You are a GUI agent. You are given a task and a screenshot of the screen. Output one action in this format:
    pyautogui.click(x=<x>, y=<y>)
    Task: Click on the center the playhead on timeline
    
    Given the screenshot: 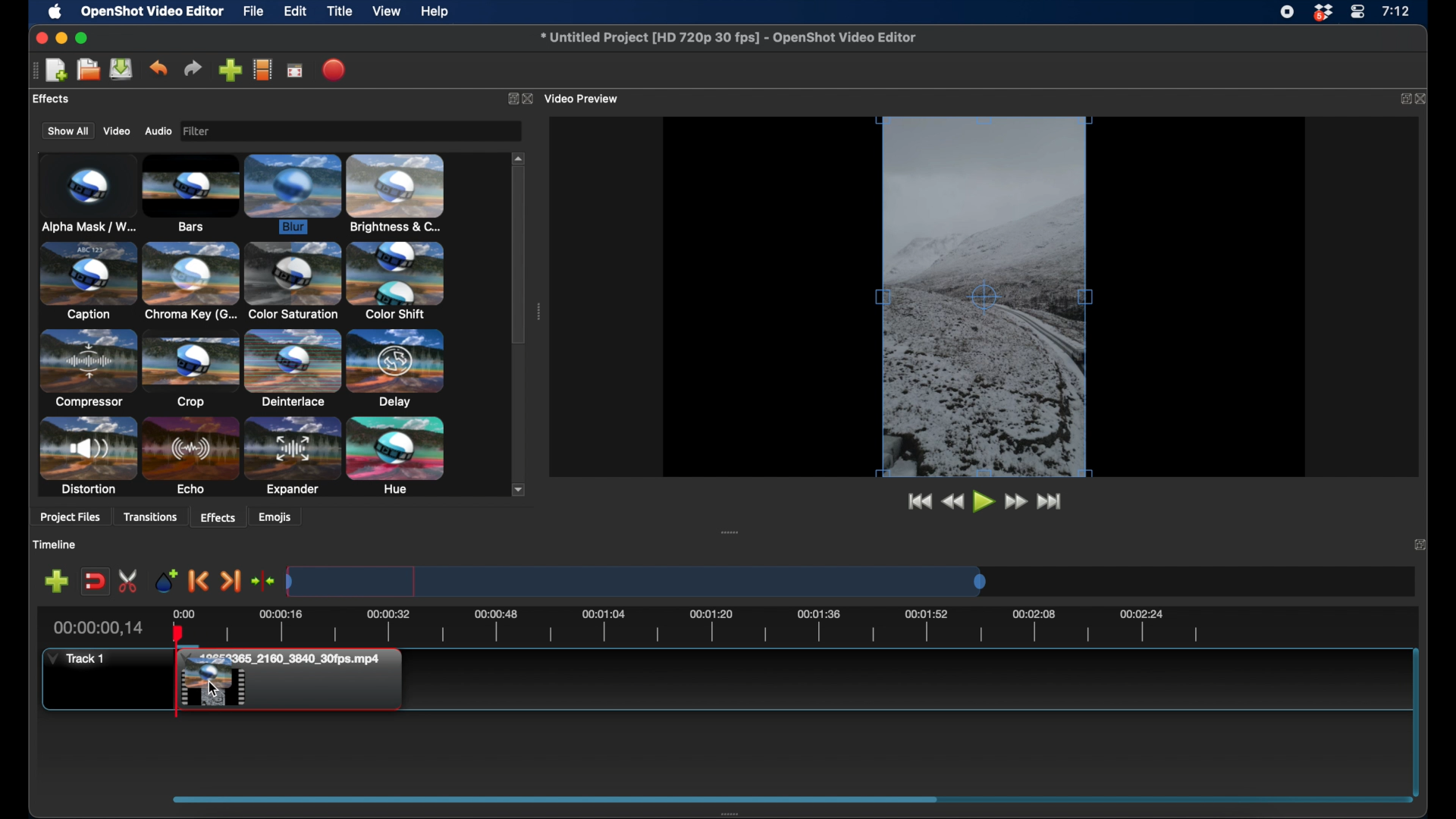 What is the action you would take?
    pyautogui.click(x=264, y=580)
    